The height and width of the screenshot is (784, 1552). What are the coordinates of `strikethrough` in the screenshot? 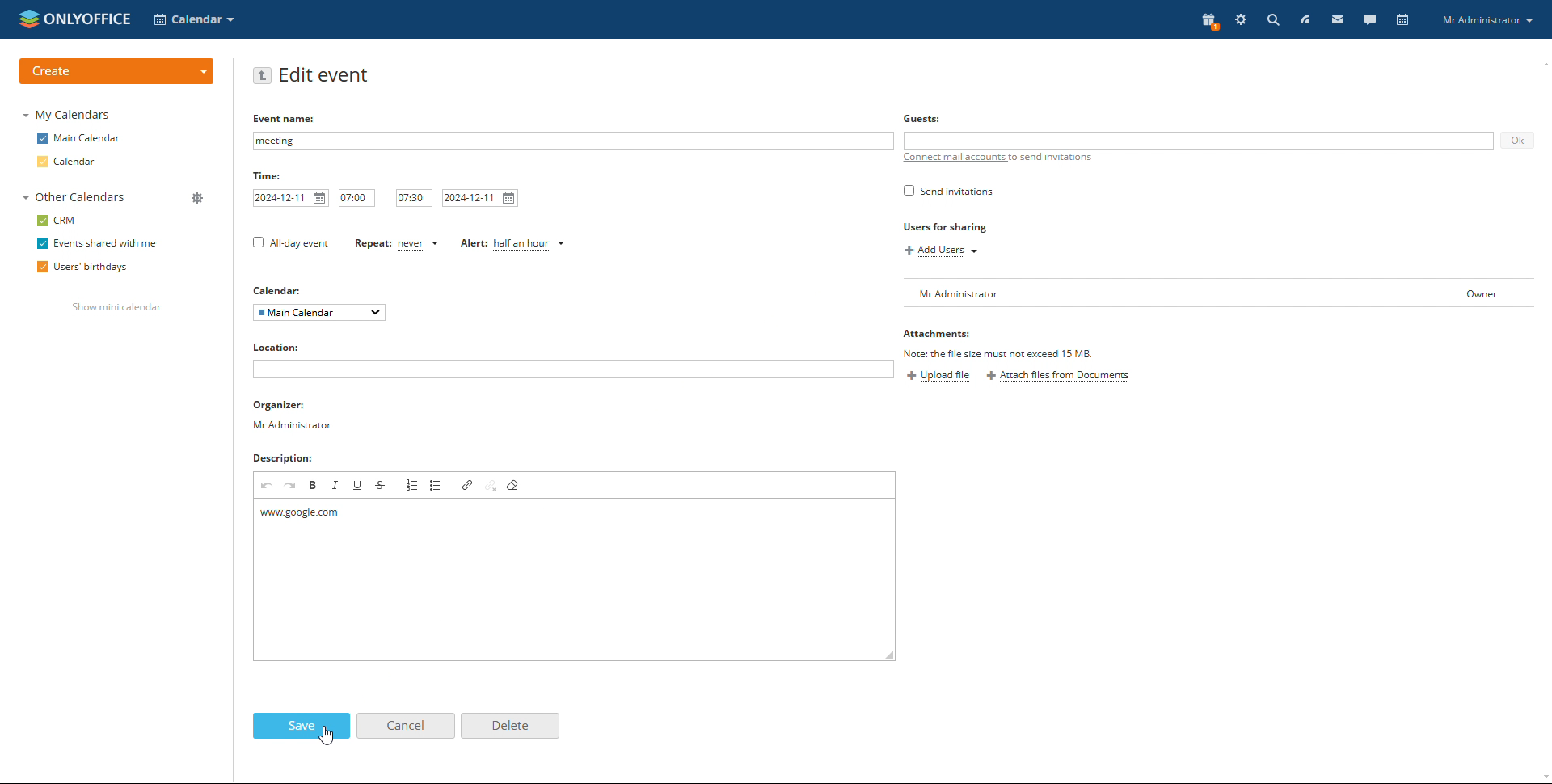 It's located at (381, 485).